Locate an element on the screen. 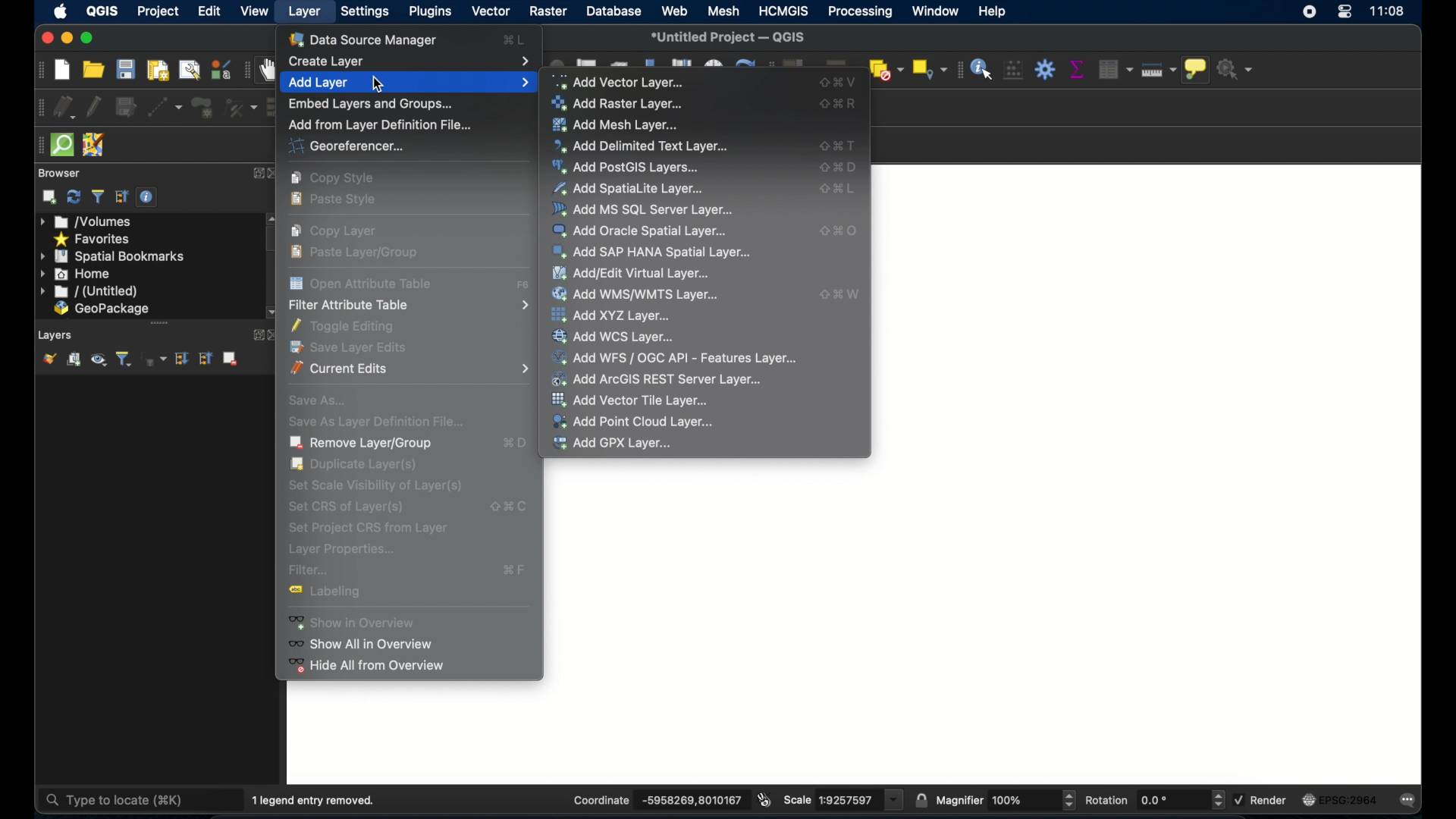 The height and width of the screenshot is (819, 1456). project toolbar is located at coordinates (37, 70).